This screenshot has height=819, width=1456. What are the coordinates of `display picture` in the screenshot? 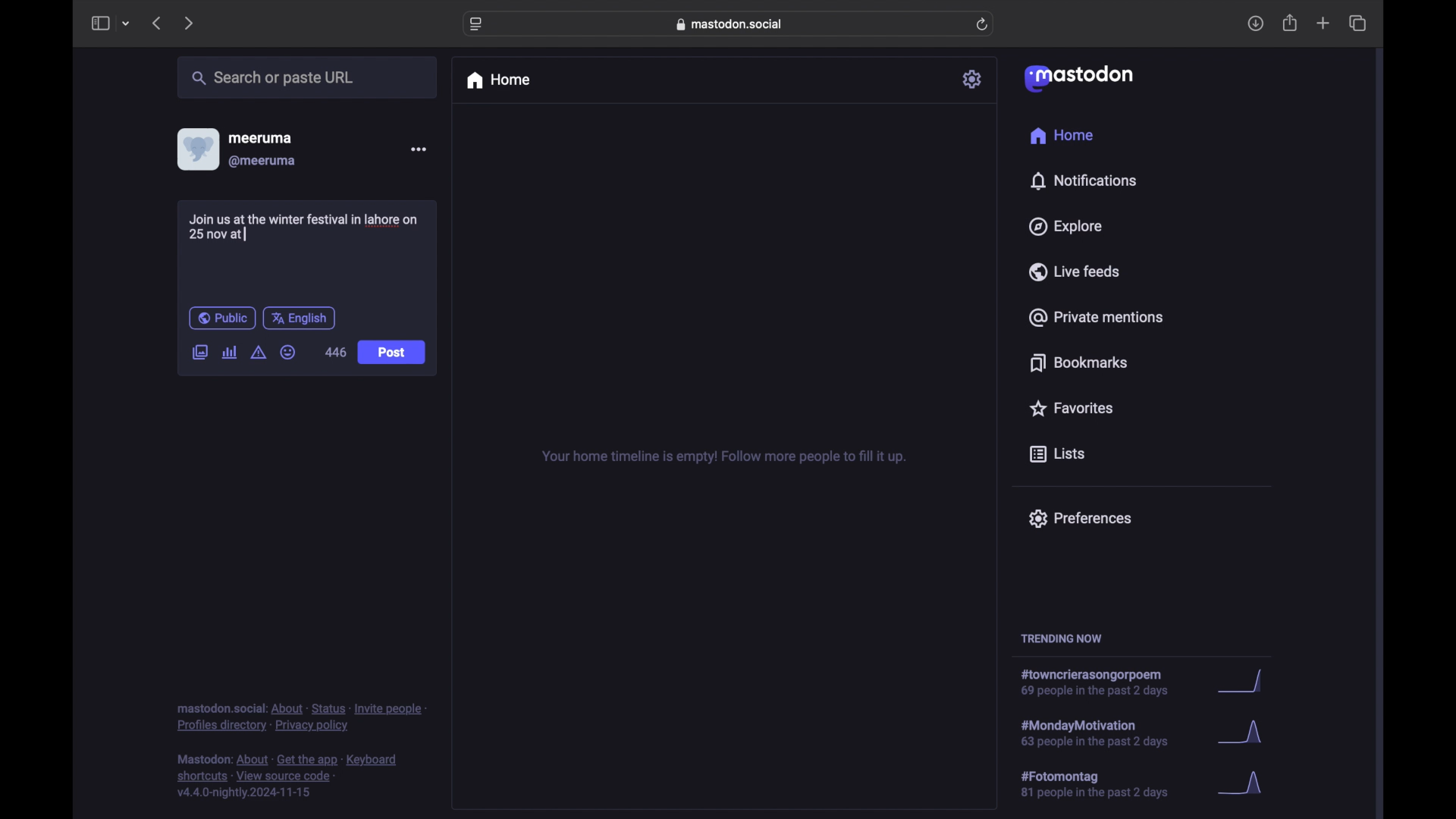 It's located at (196, 149).